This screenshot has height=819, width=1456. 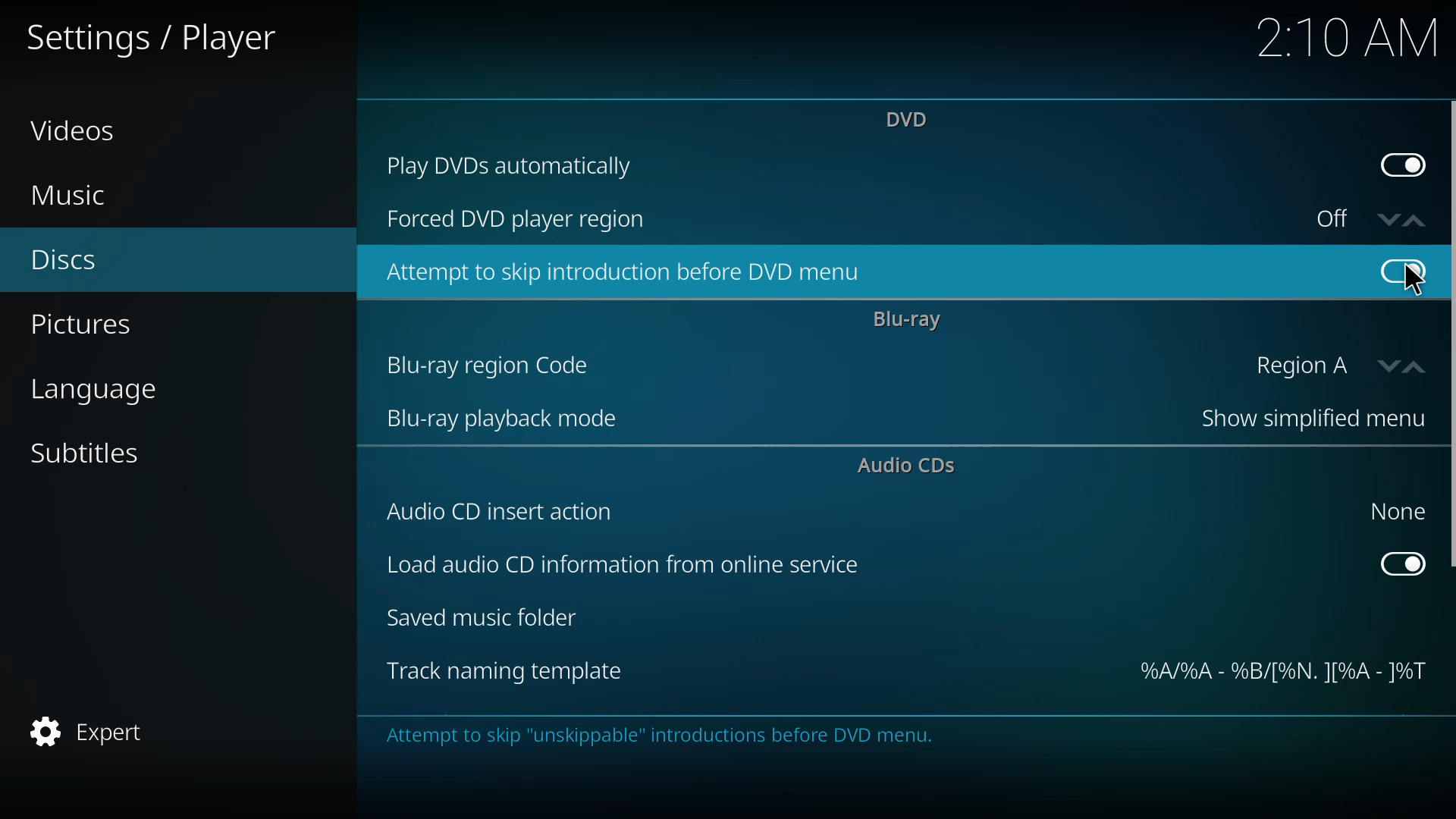 What do you see at coordinates (1403, 270) in the screenshot?
I see `enabled` at bounding box center [1403, 270].